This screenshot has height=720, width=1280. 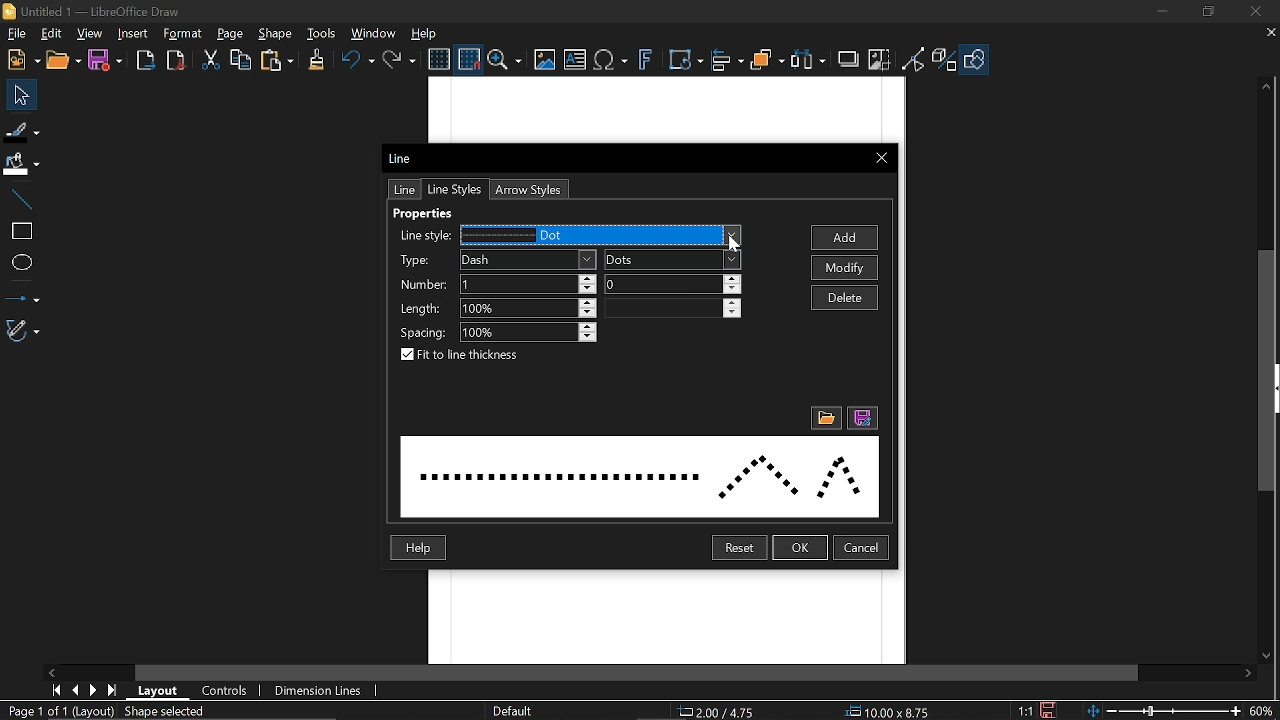 I want to click on Horizontal scrollbar, so click(x=638, y=673).